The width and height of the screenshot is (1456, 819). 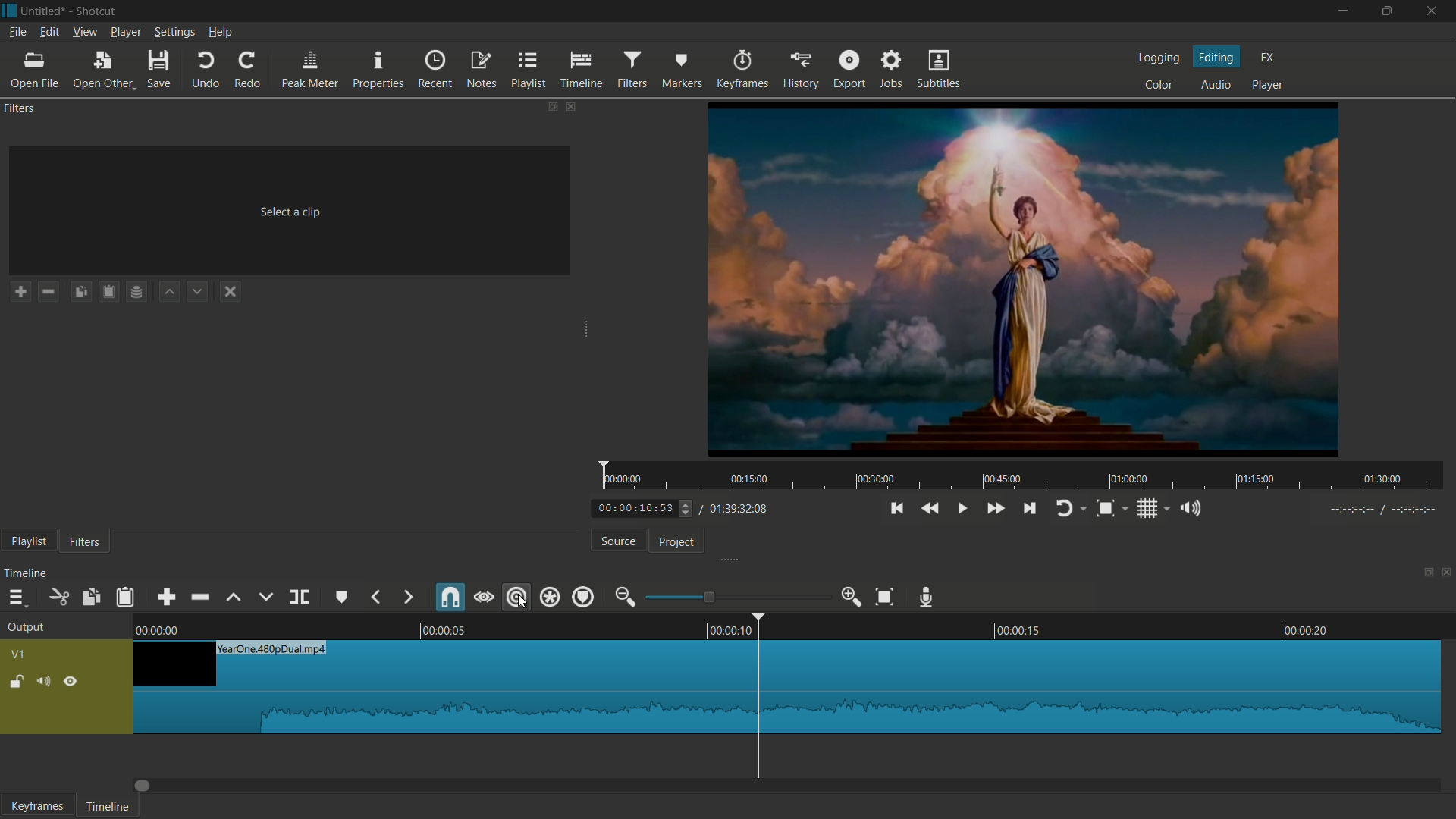 What do you see at coordinates (739, 510) in the screenshot?
I see `total time` at bounding box center [739, 510].